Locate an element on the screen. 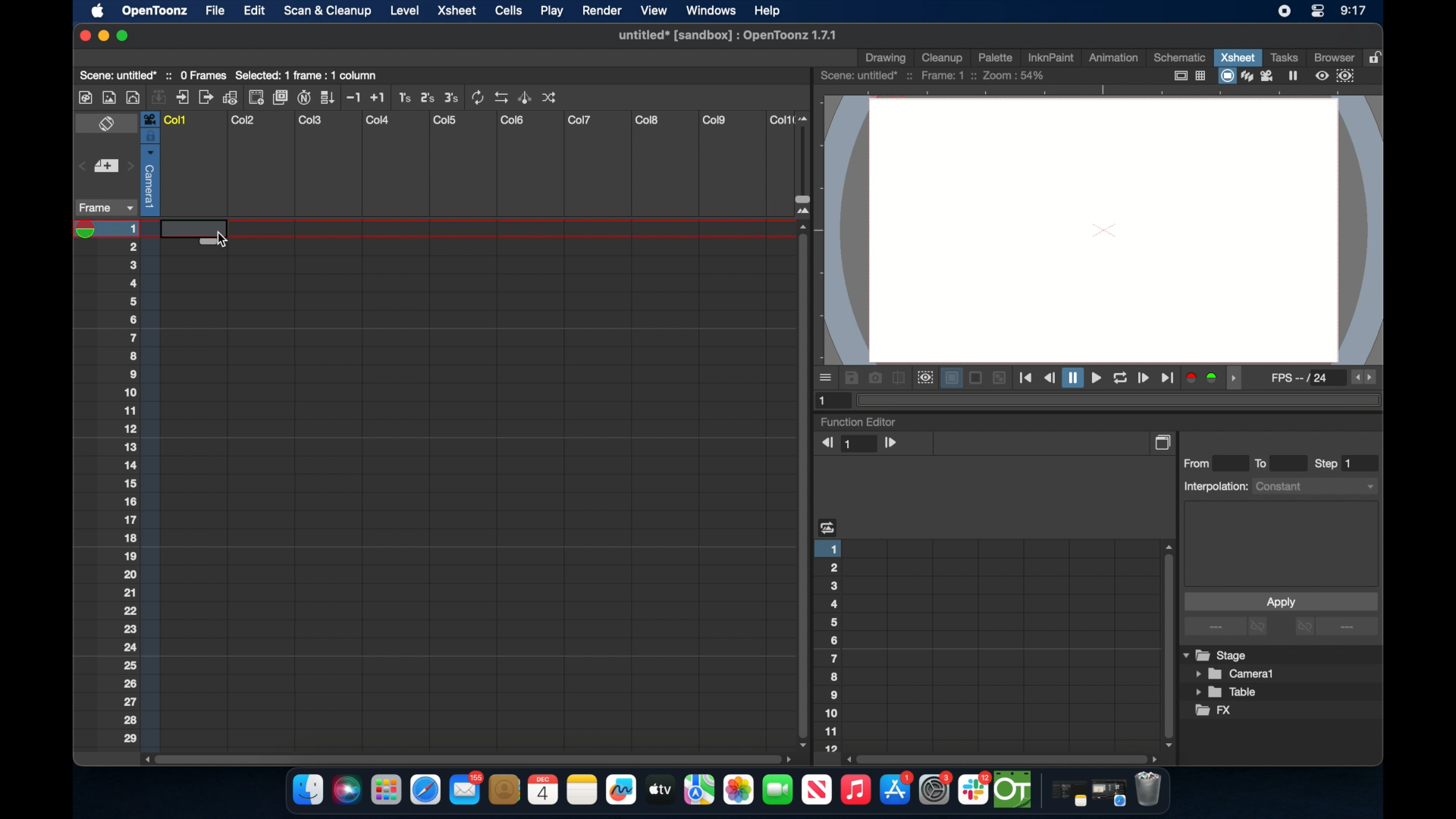  copy is located at coordinates (1165, 442).